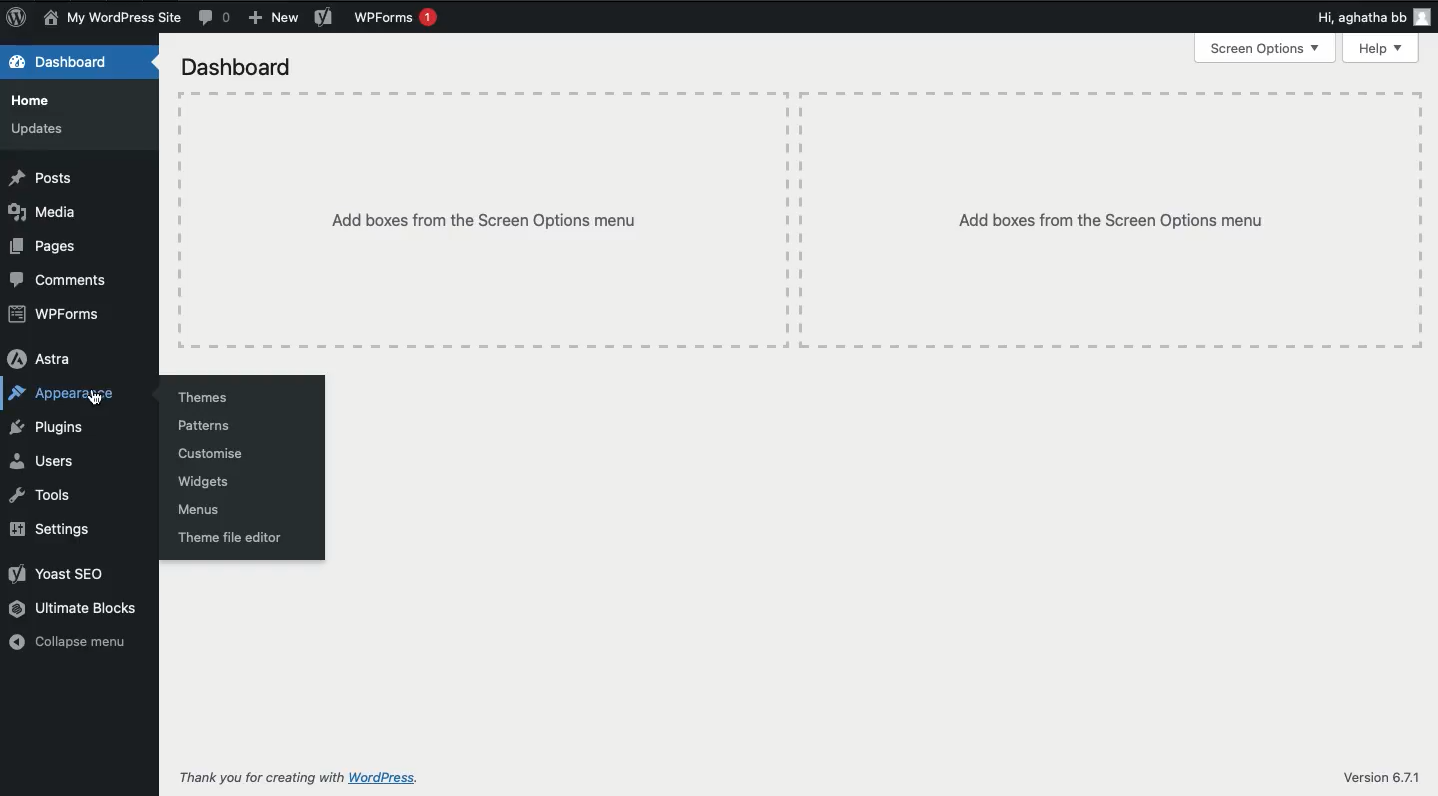  Describe the element at coordinates (1265, 51) in the screenshot. I see `Screen options` at that location.